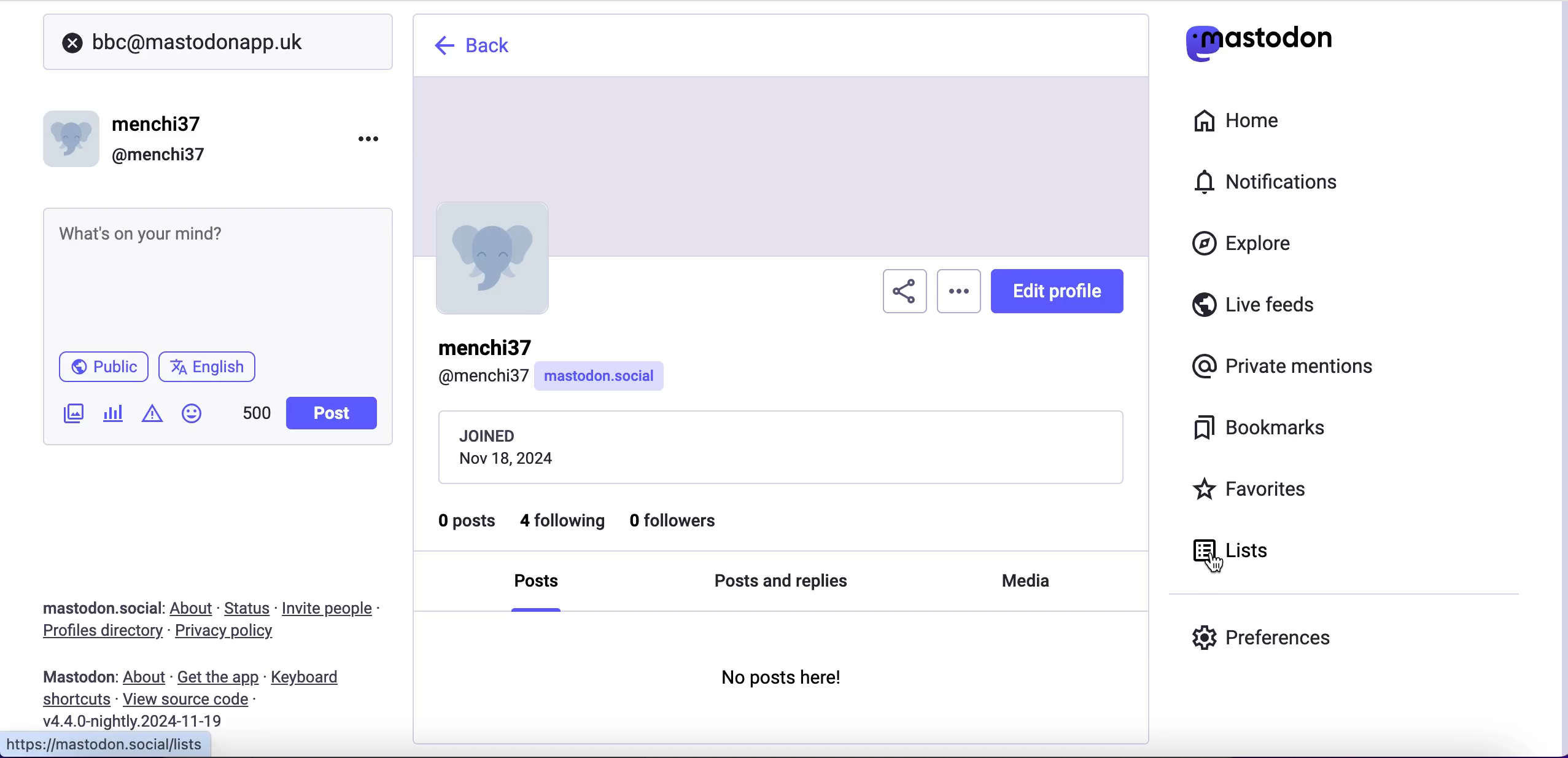 Image resolution: width=1568 pixels, height=758 pixels. What do you see at coordinates (1558, 375) in the screenshot?
I see `scroll bar` at bounding box center [1558, 375].